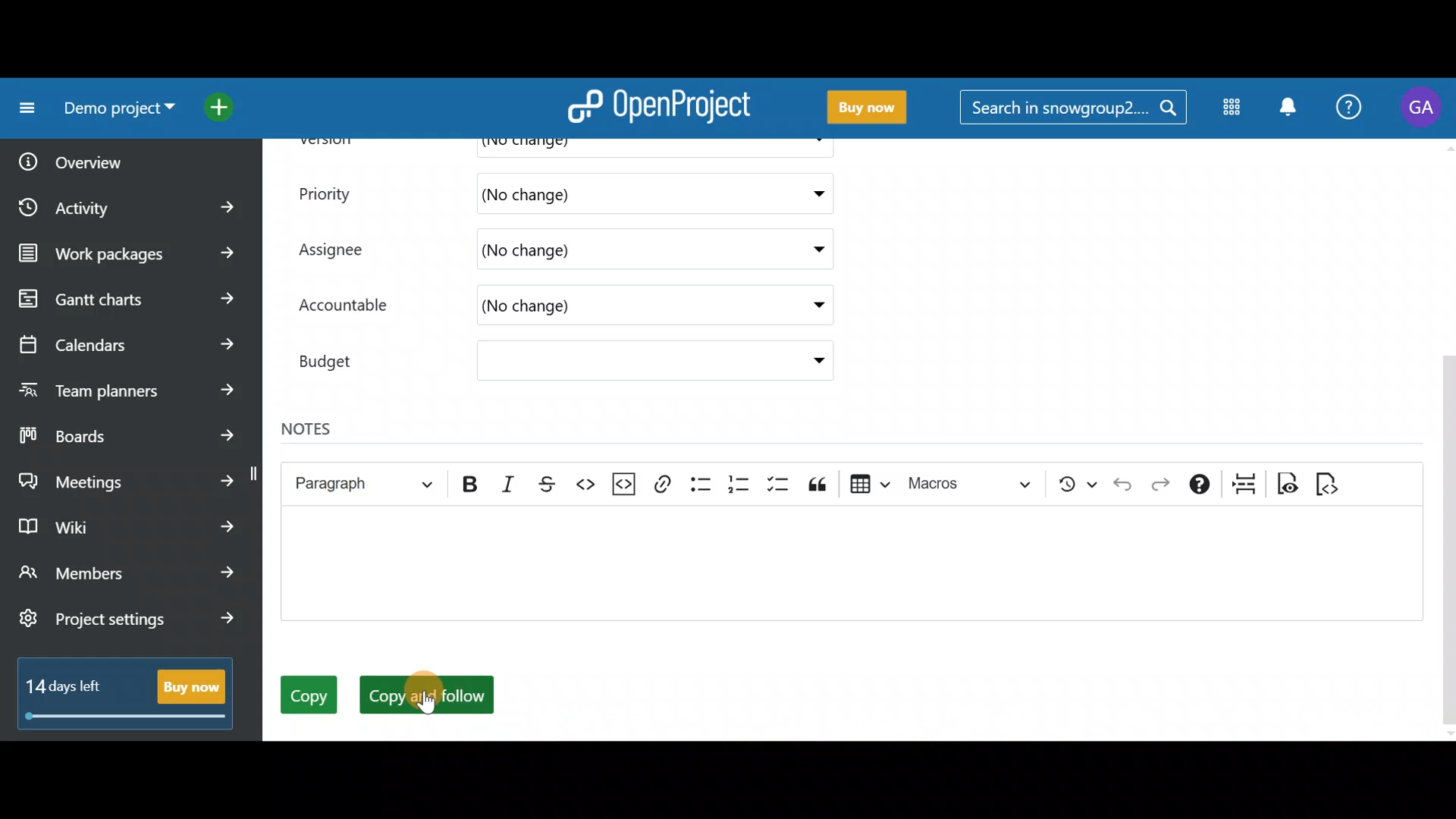 The image size is (1456, 819). I want to click on Toggle preview mode, so click(1287, 487).